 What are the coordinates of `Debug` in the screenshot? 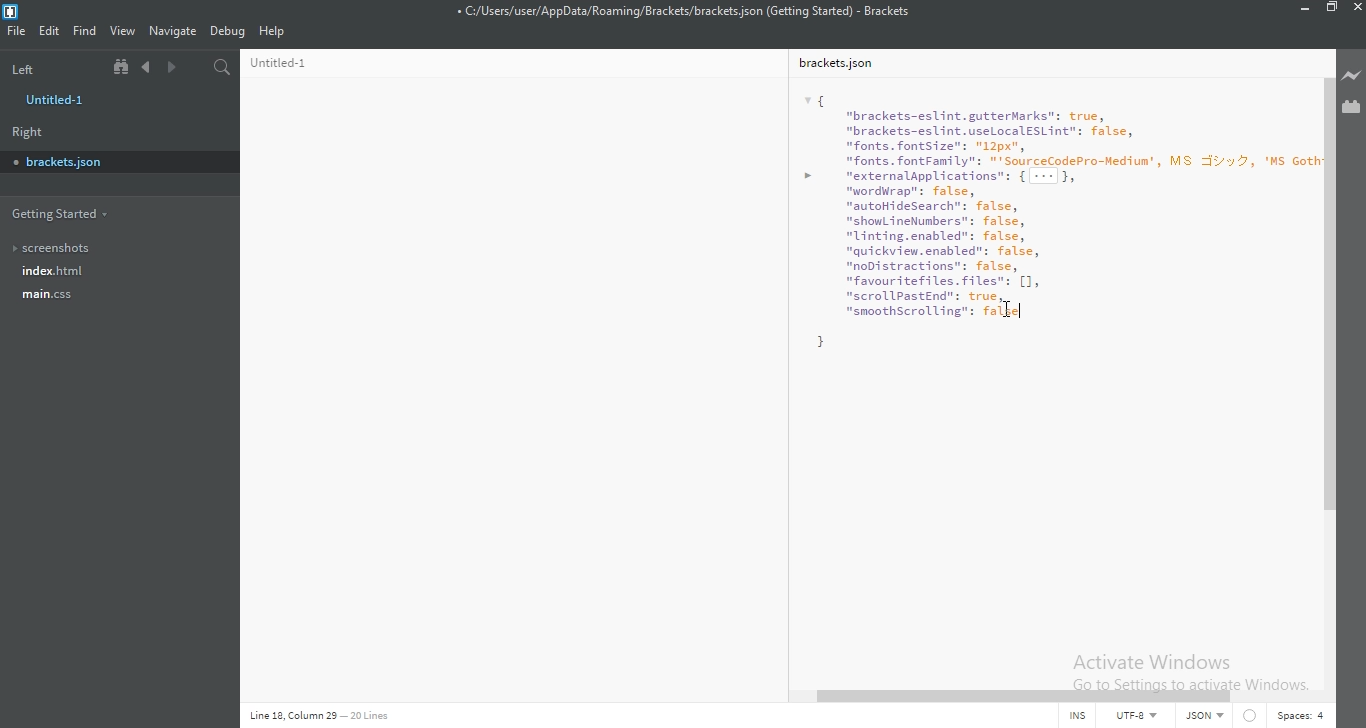 It's located at (229, 30).